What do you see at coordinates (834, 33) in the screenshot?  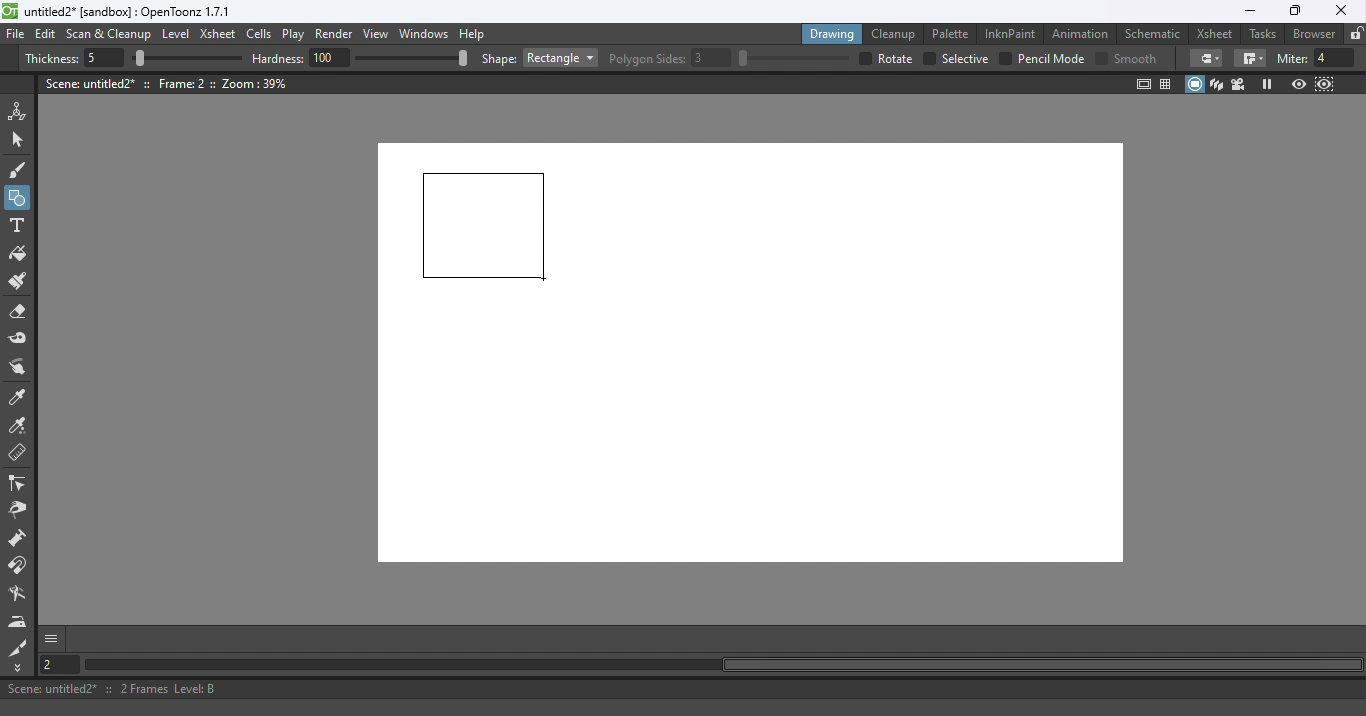 I see `Drawing` at bounding box center [834, 33].